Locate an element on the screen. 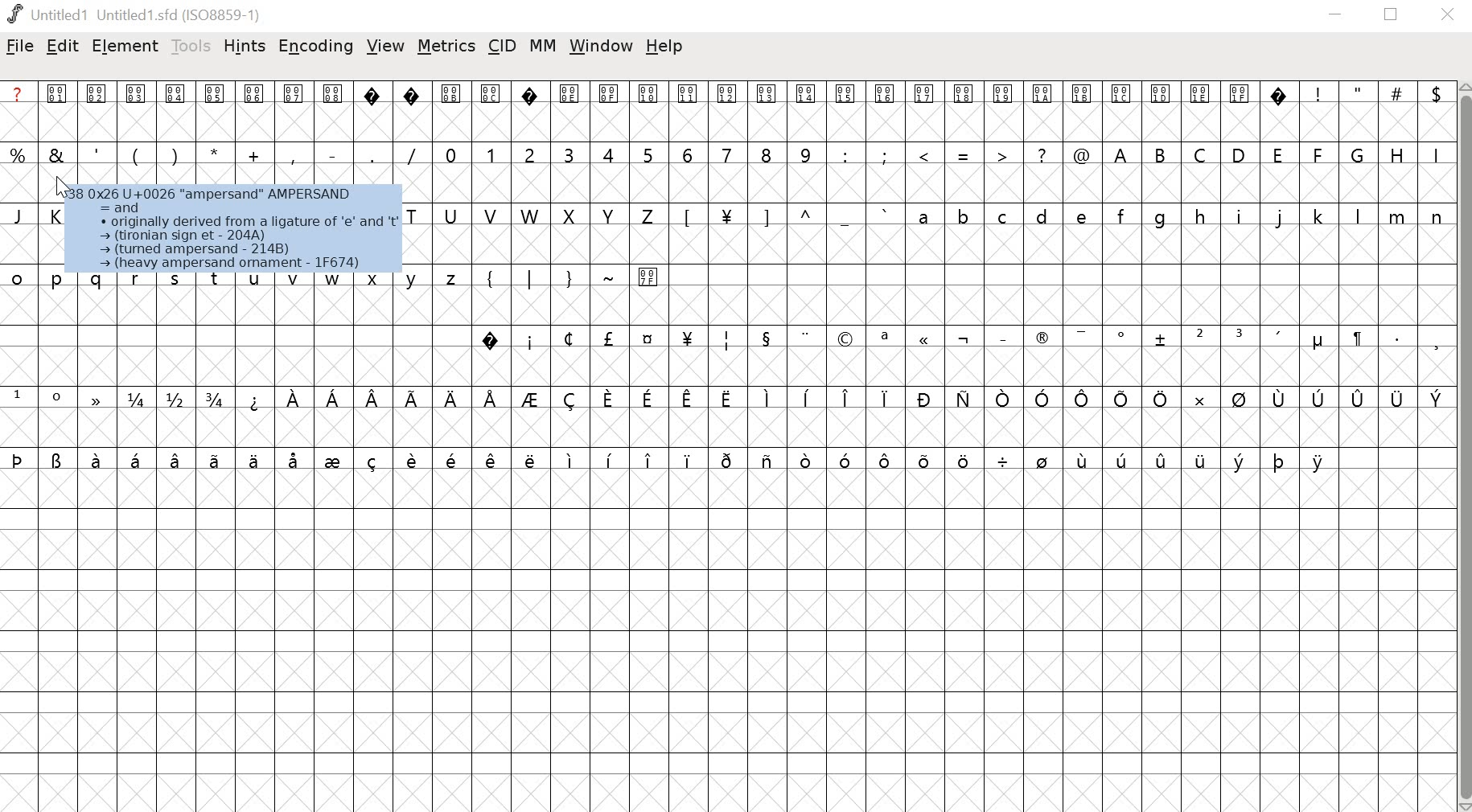  symbol is located at coordinates (58, 459).